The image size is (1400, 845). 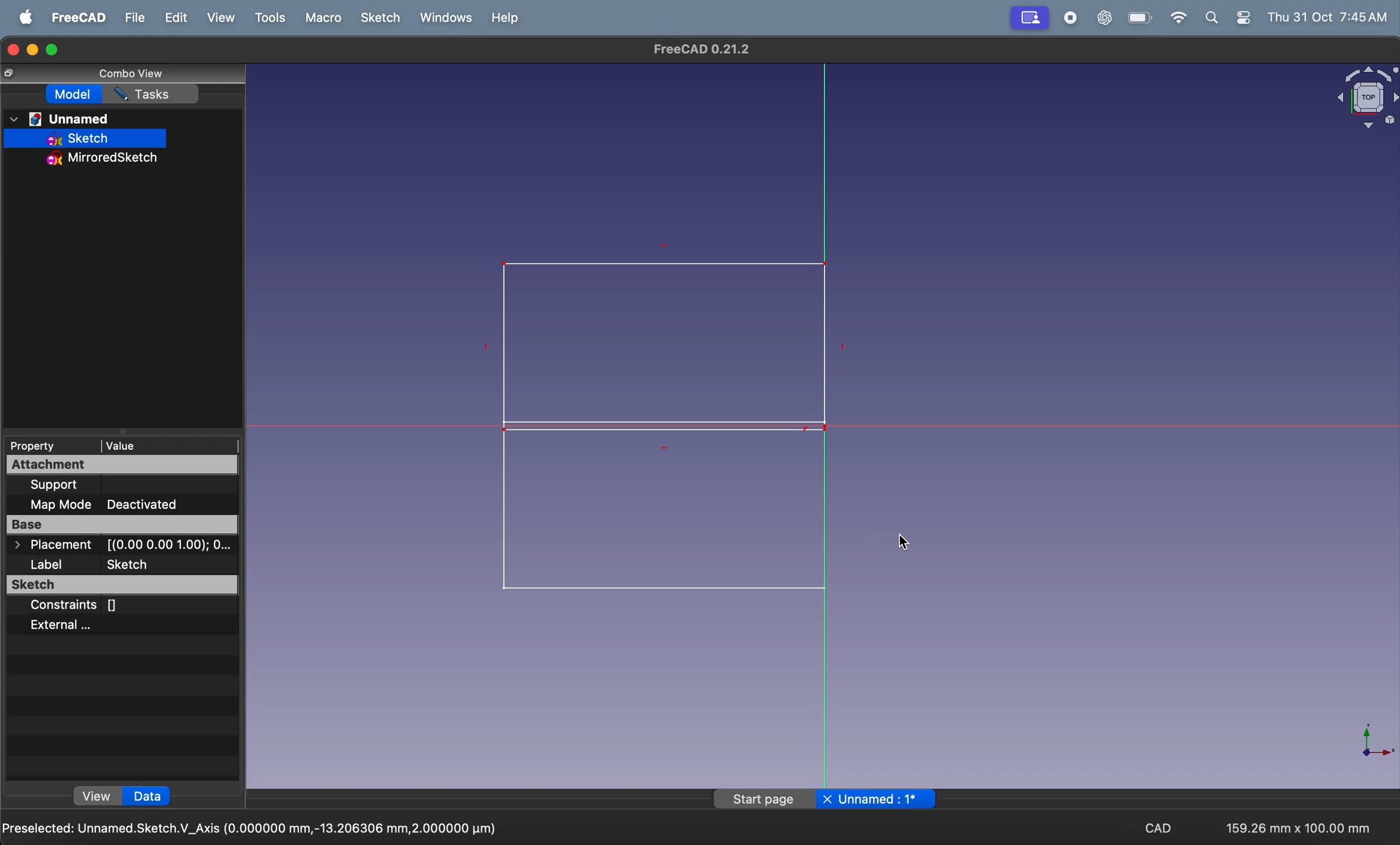 I want to click on time and date, so click(x=1328, y=16).